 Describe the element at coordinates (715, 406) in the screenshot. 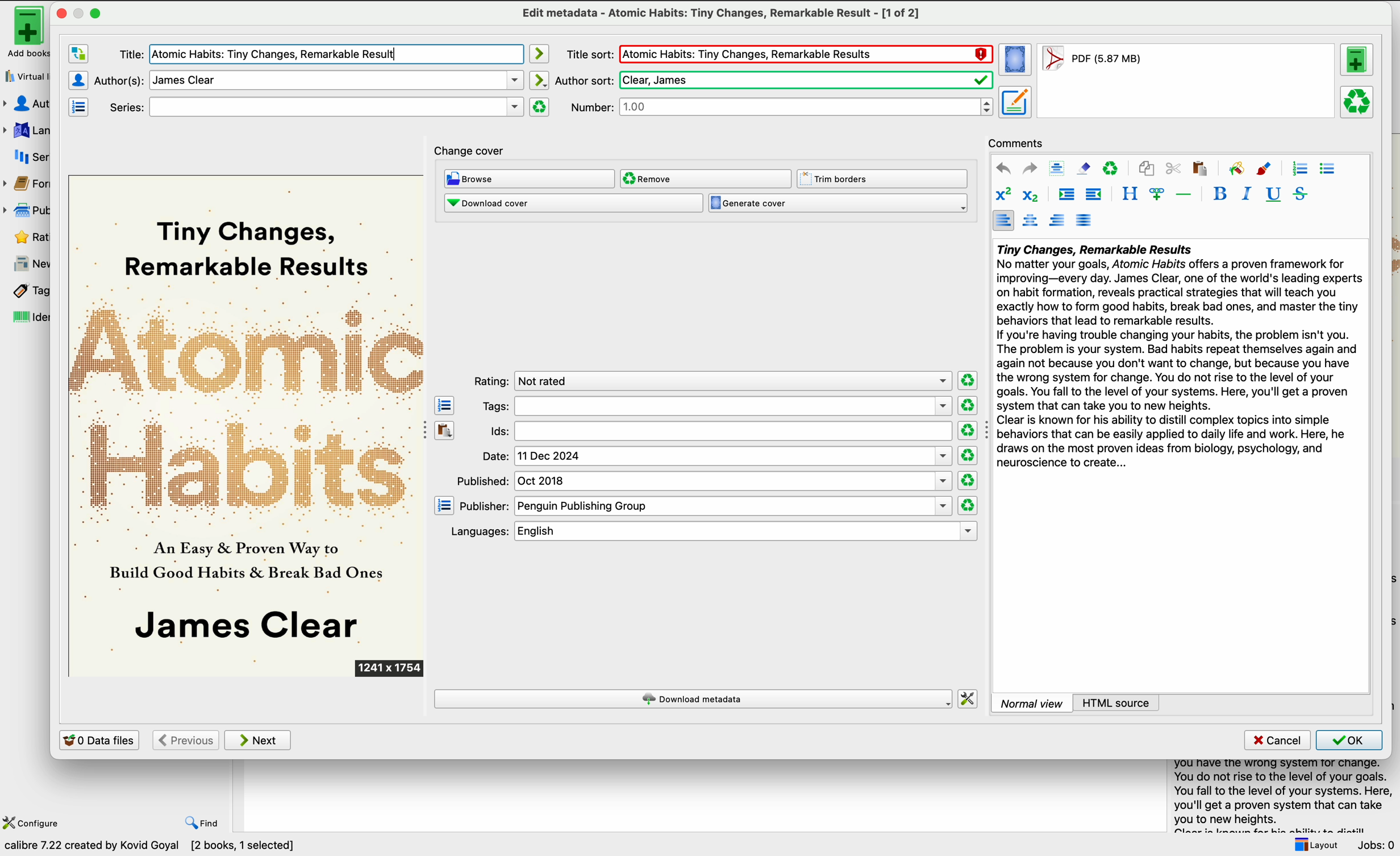

I see `tags` at that location.